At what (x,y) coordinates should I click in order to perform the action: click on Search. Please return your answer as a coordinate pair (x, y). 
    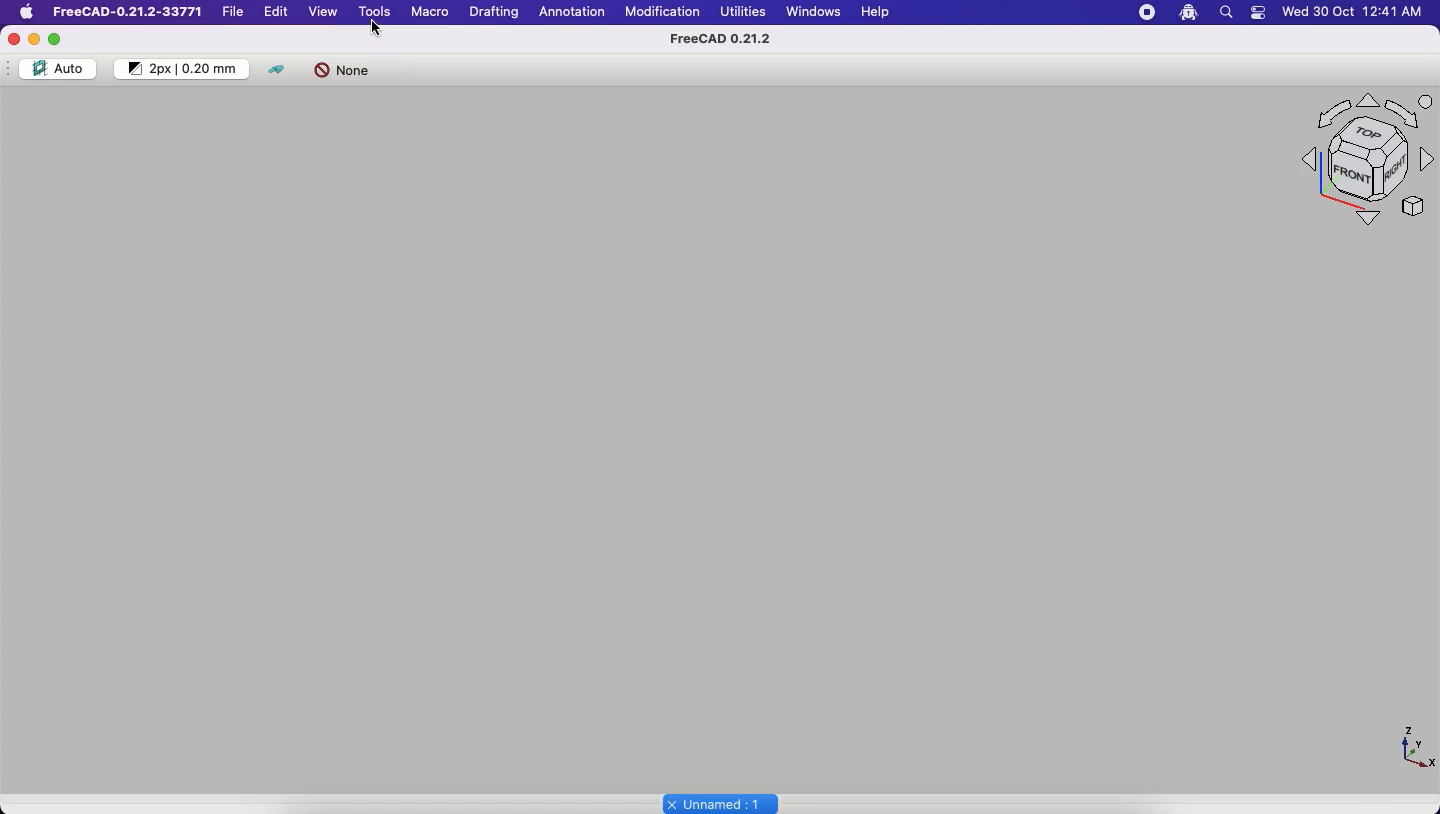
    Looking at the image, I should click on (1227, 13).